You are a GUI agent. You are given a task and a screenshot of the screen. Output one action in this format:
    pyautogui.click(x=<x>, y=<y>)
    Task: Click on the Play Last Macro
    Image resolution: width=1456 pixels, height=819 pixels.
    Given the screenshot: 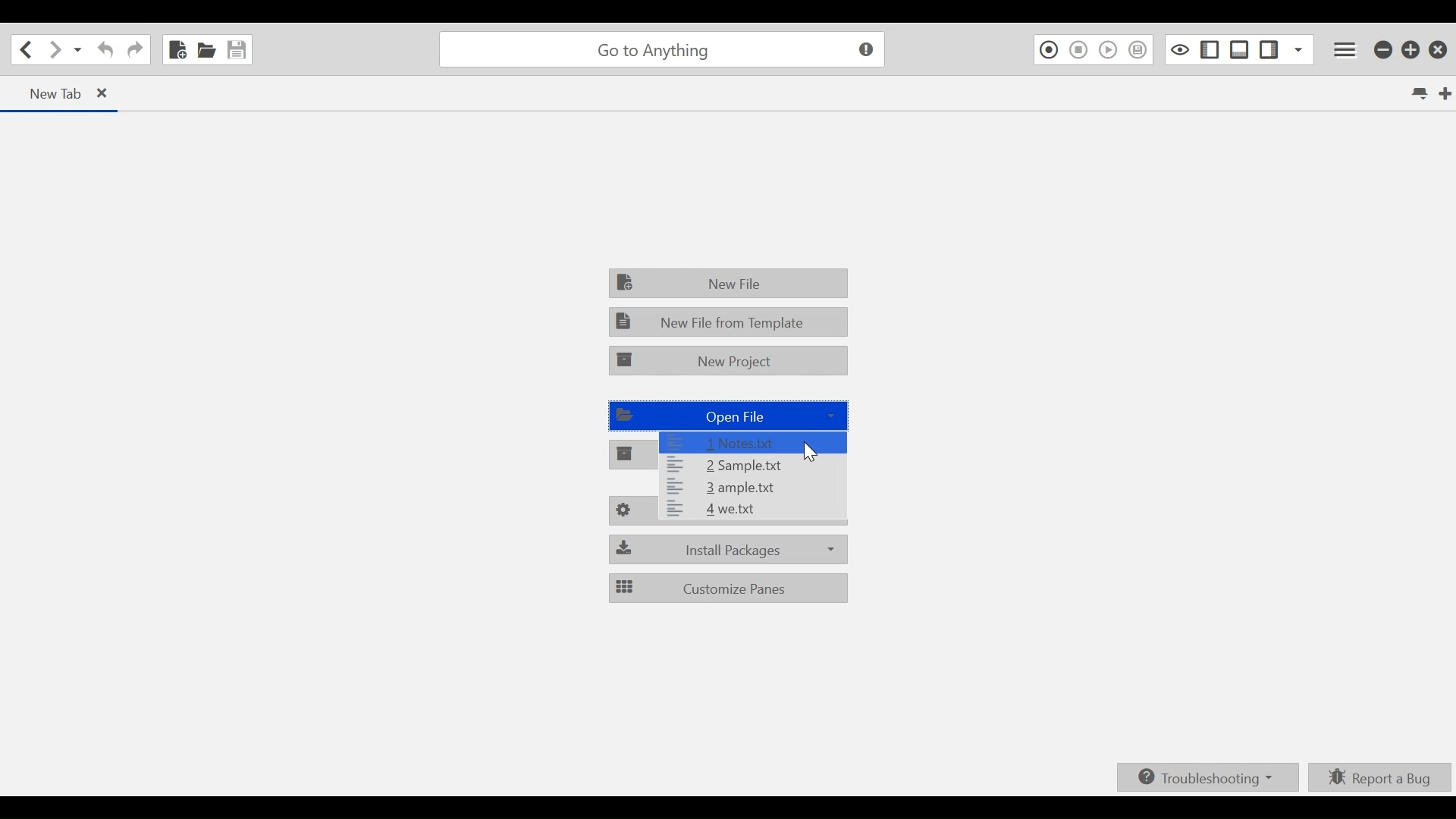 What is the action you would take?
    pyautogui.click(x=1109, y=50)
    